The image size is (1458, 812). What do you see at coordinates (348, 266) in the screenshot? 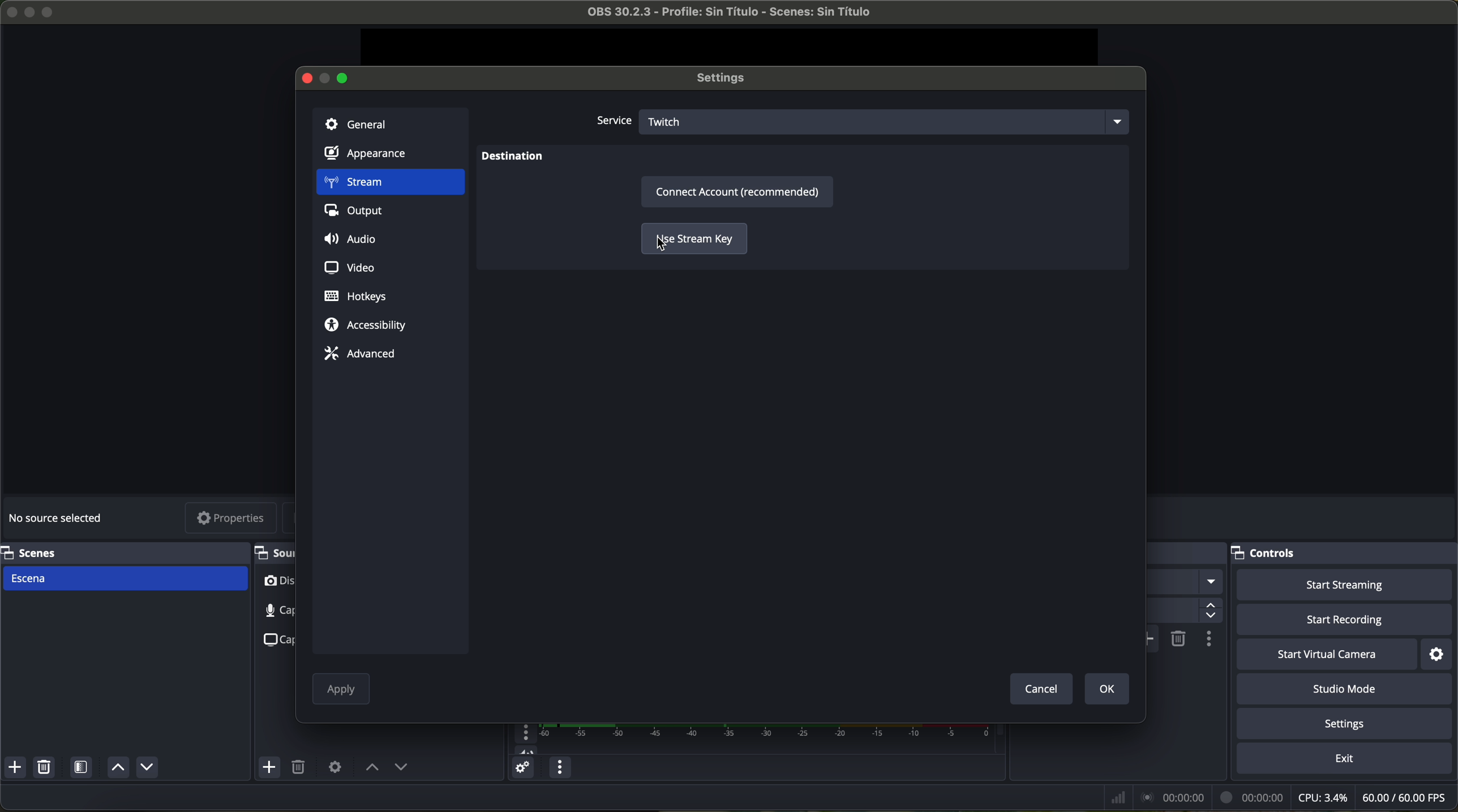
I see `video` at bounding box center [348, 266].